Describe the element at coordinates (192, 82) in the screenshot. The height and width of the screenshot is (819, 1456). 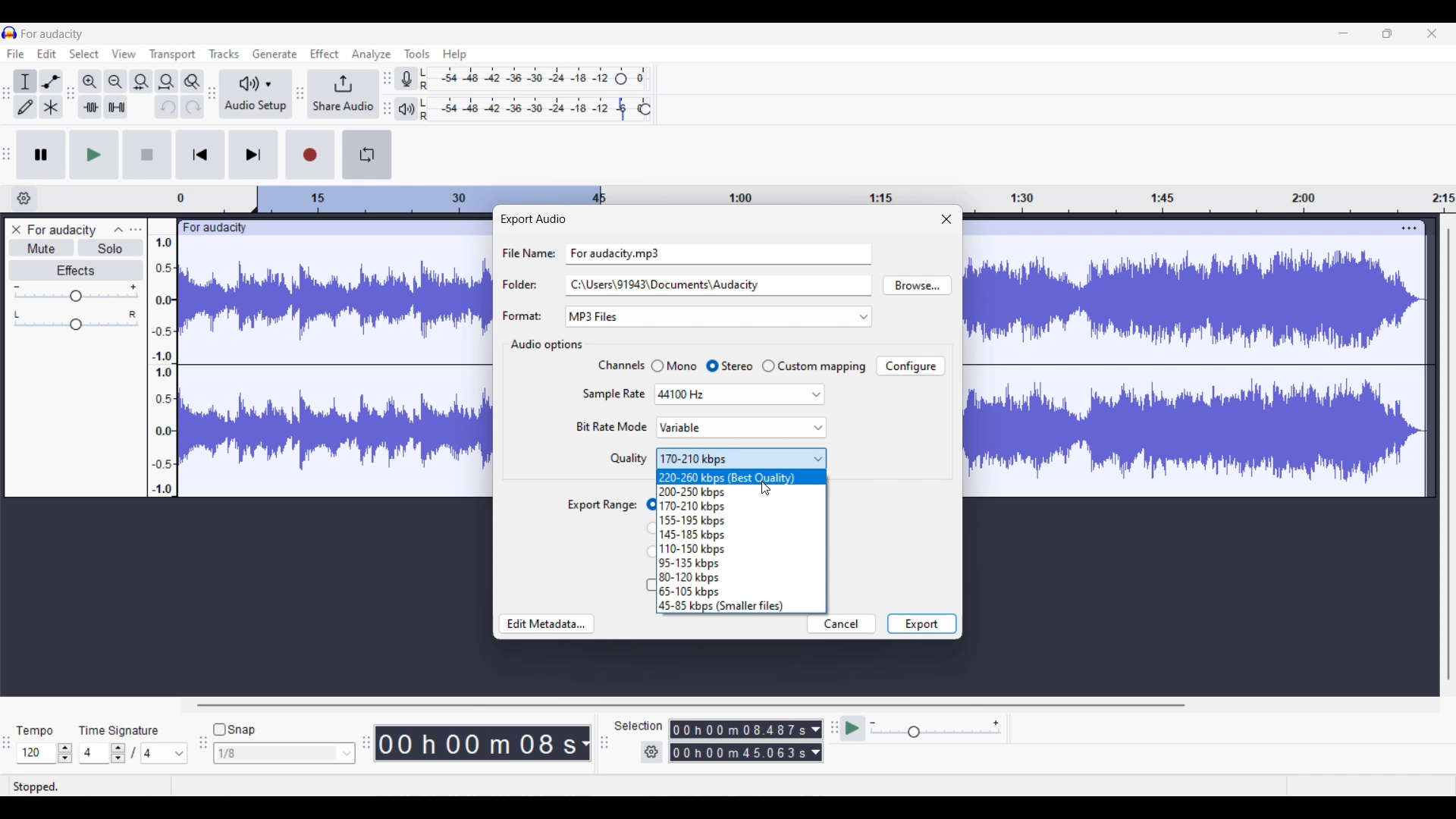
I see `Zoom toggle` at that location.